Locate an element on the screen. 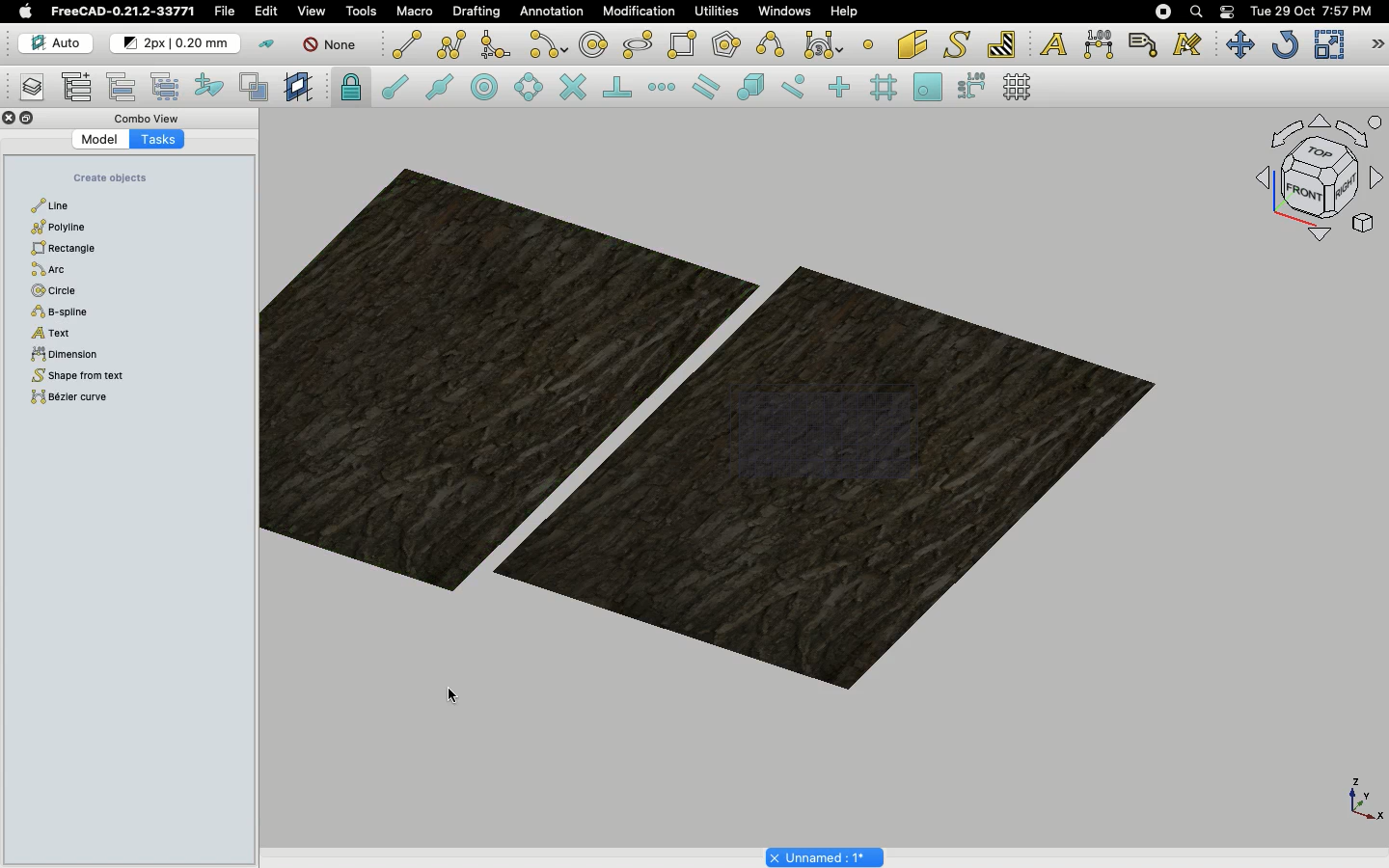  Snap special  is located at coordinates (754, 89).